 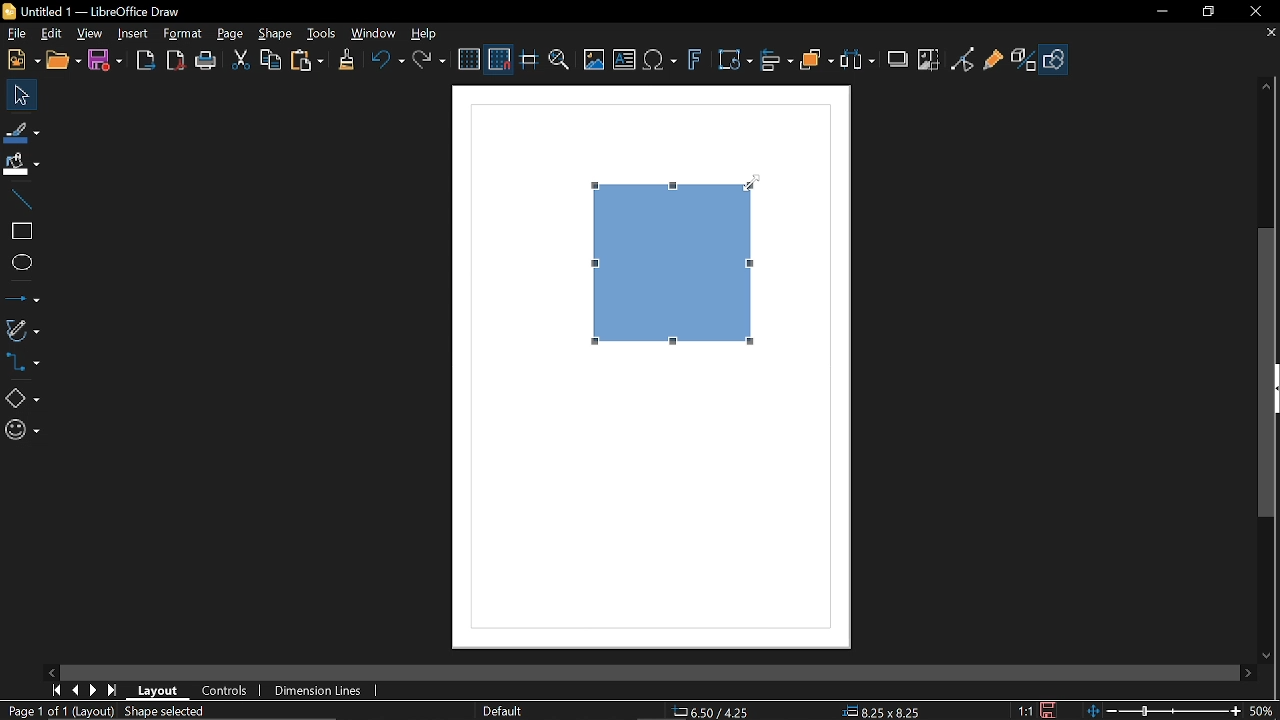 I want to click on Vertical scrollbar, so click(x=1268, y=374).